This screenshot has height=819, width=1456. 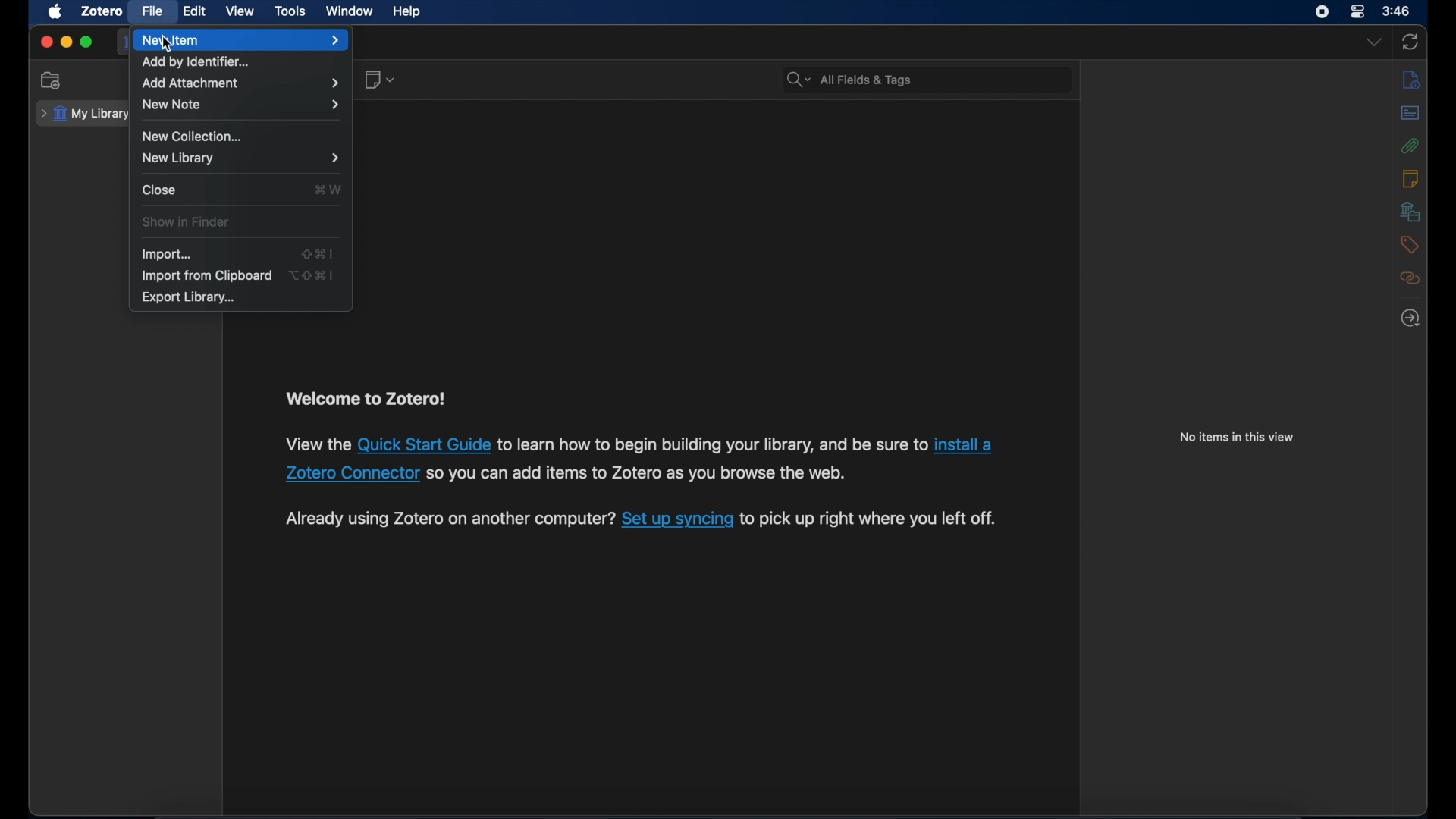 What do you see at coordinates (312, 275) in the screenshot?
I see `shortcut` at bounding box center [312, 275].